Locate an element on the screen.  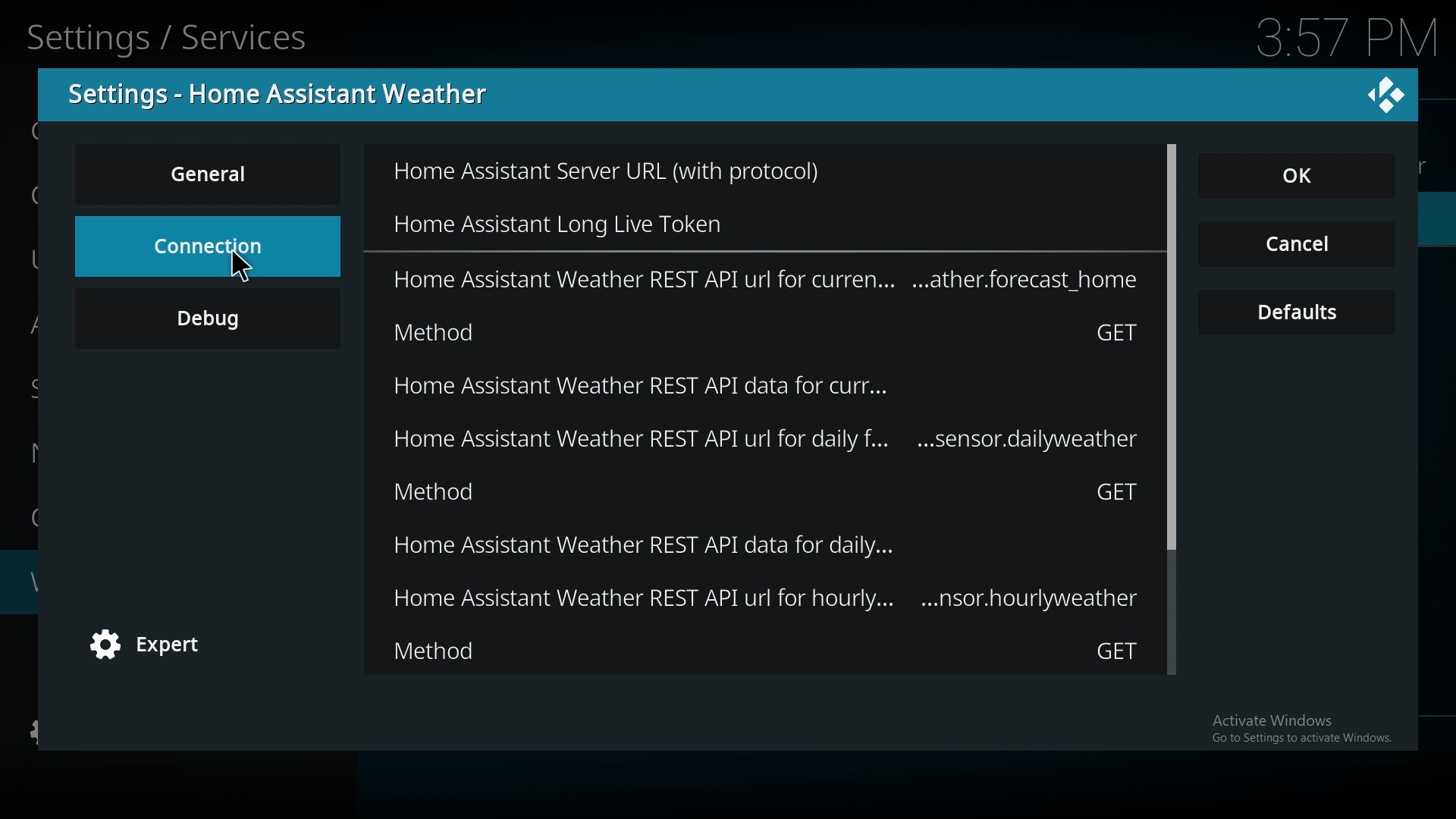
home assistant weather api  is located at coordinates (757, 386).